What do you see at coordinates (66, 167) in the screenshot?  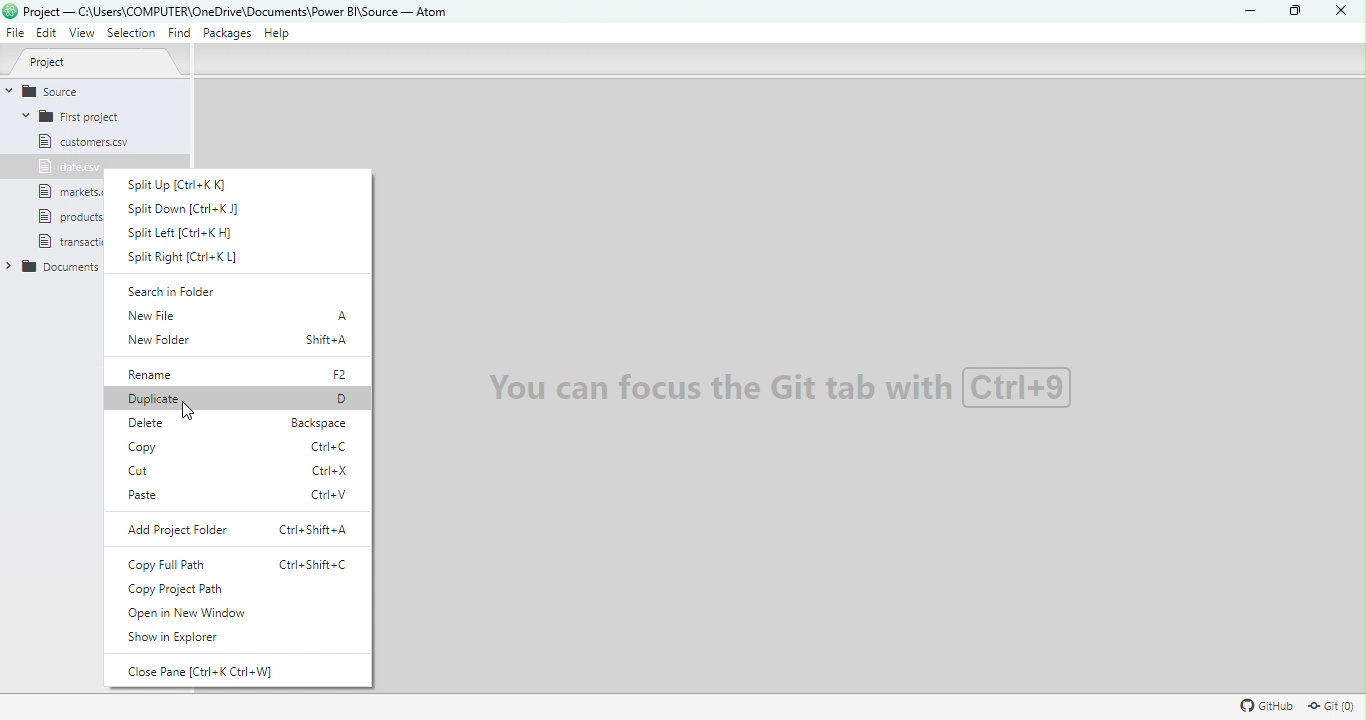 I see `File` at bounding box center [66, 167].